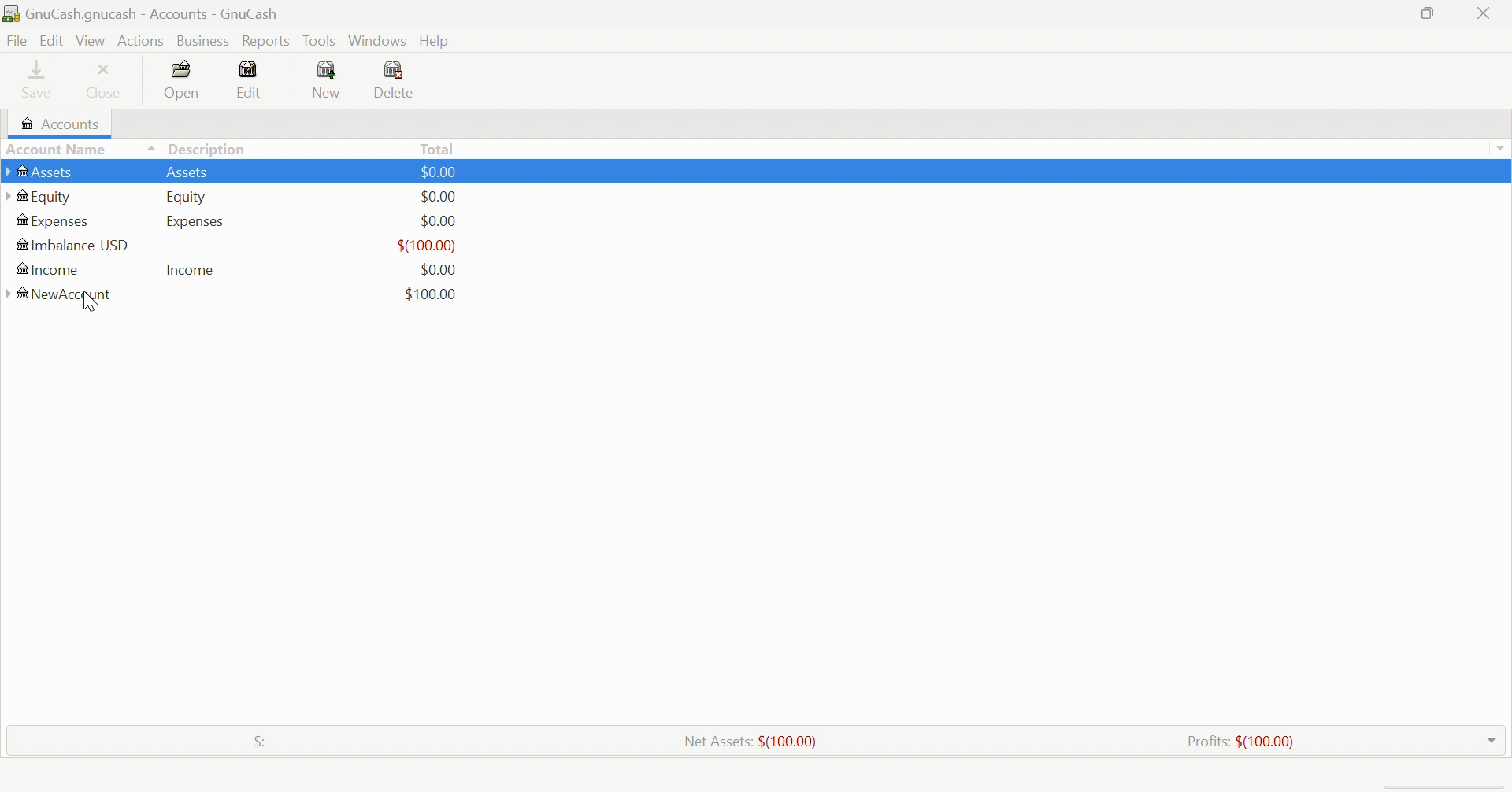 This screenshot has width=1512, height=792. Describe the element at coordinates (395, 82) in the screenshot. I see `Delete` at that location.